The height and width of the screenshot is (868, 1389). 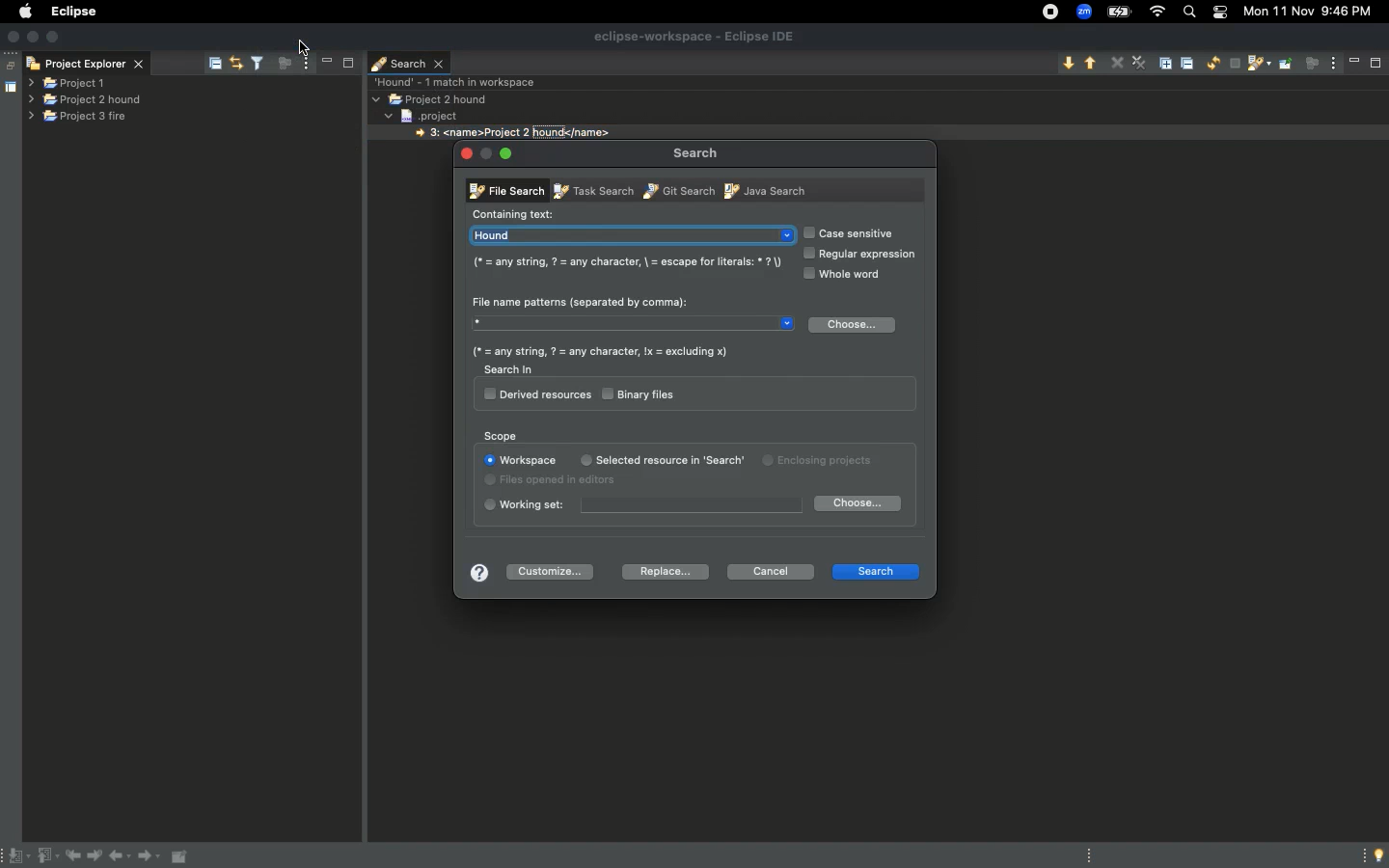 What do you see at coordinates (459, 81) in the screenshot?
I see `Hound - 1 match in workspace` at bounding box center [459, 81].